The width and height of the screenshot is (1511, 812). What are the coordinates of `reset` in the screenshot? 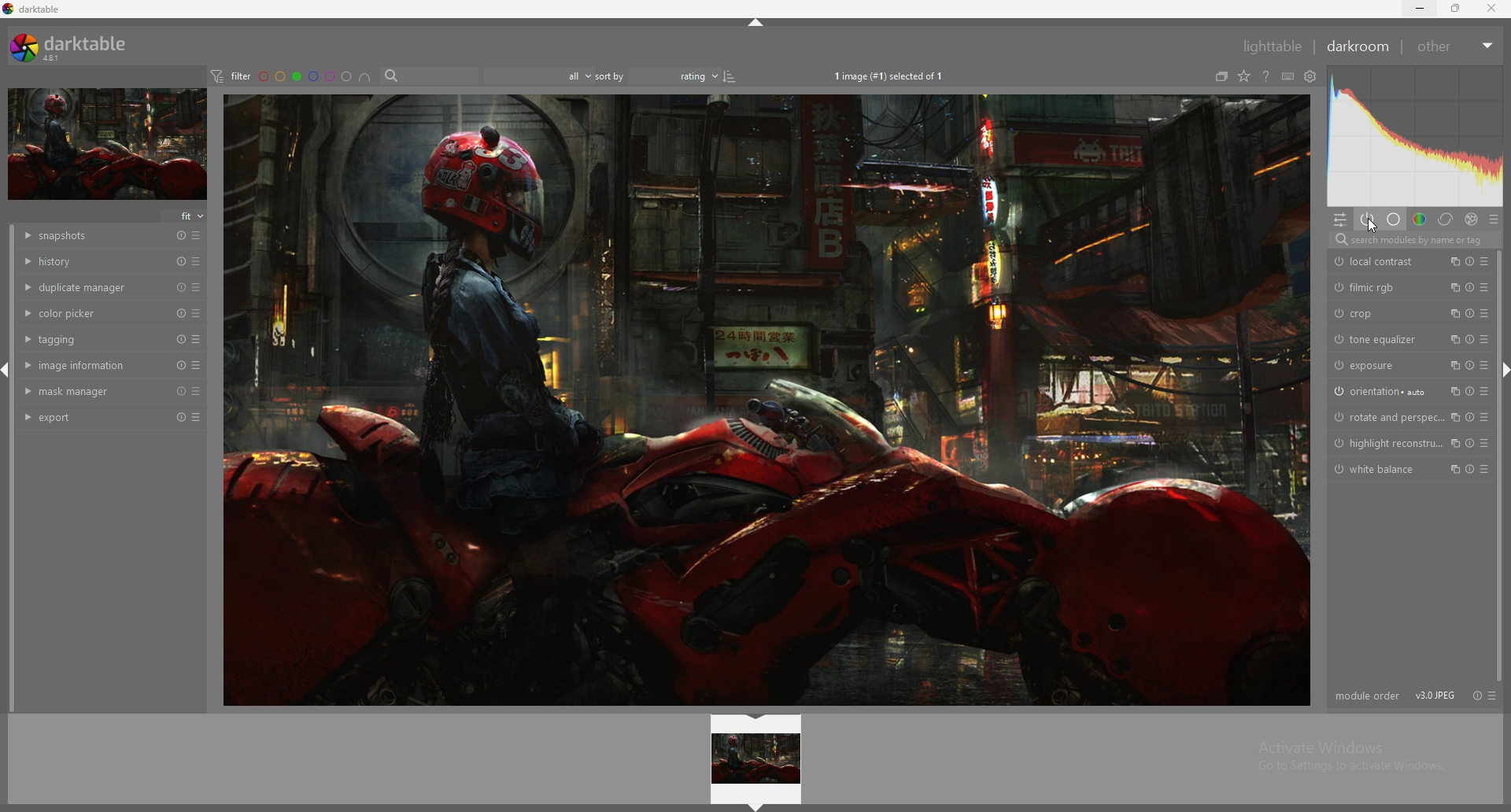 It's located at (179, 261).